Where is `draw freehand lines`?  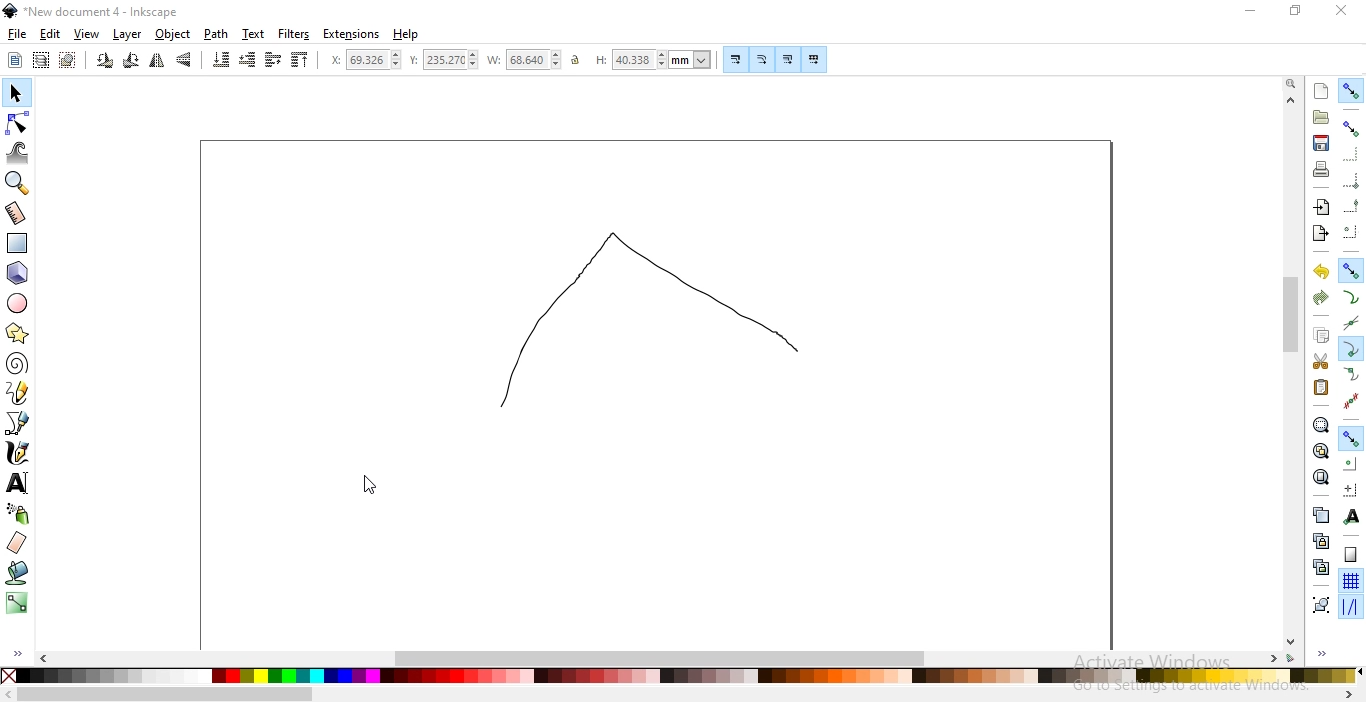 draw freehand lines is located at coordinates (18, 392).